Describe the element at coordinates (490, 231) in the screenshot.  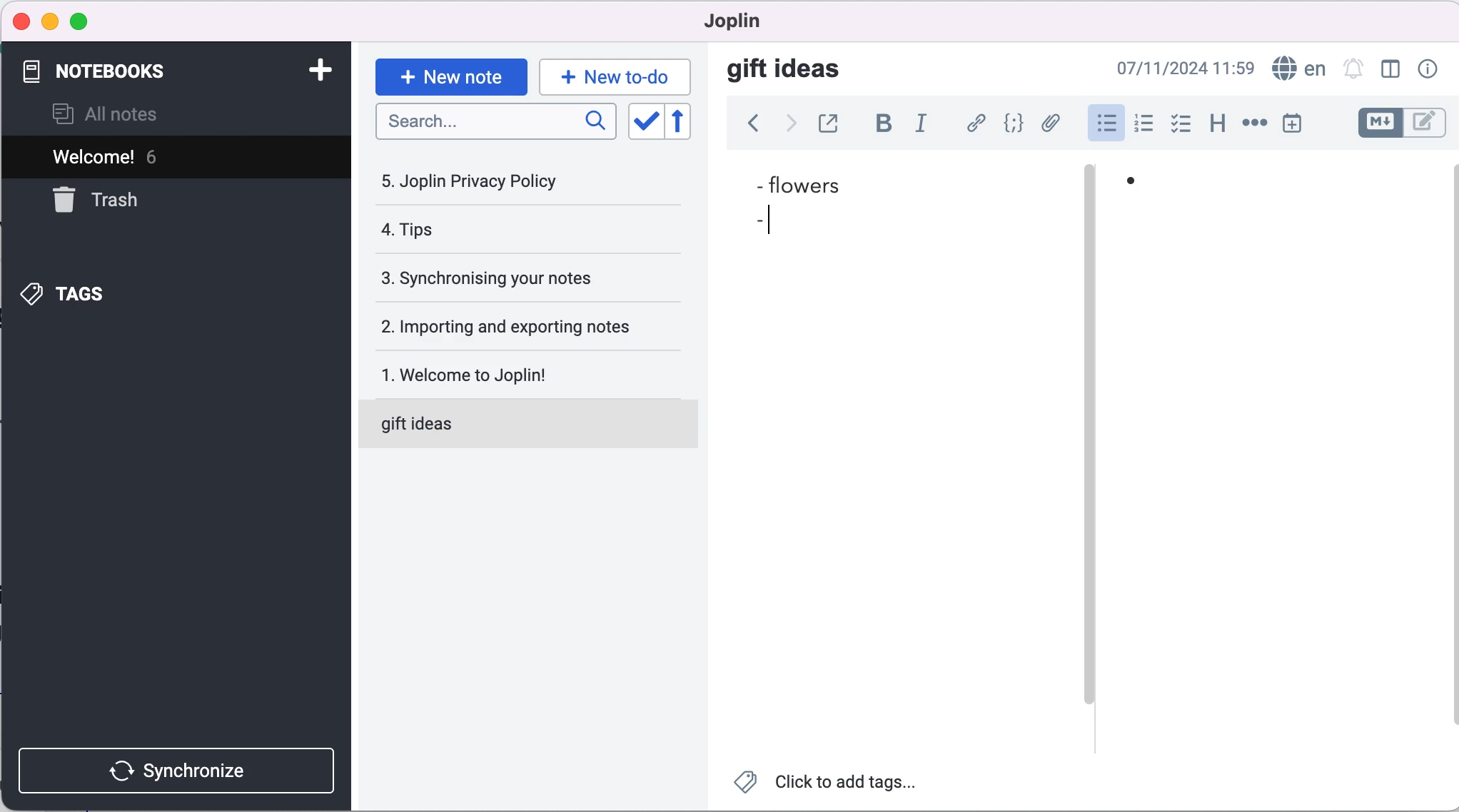
I see `tips` at that location.